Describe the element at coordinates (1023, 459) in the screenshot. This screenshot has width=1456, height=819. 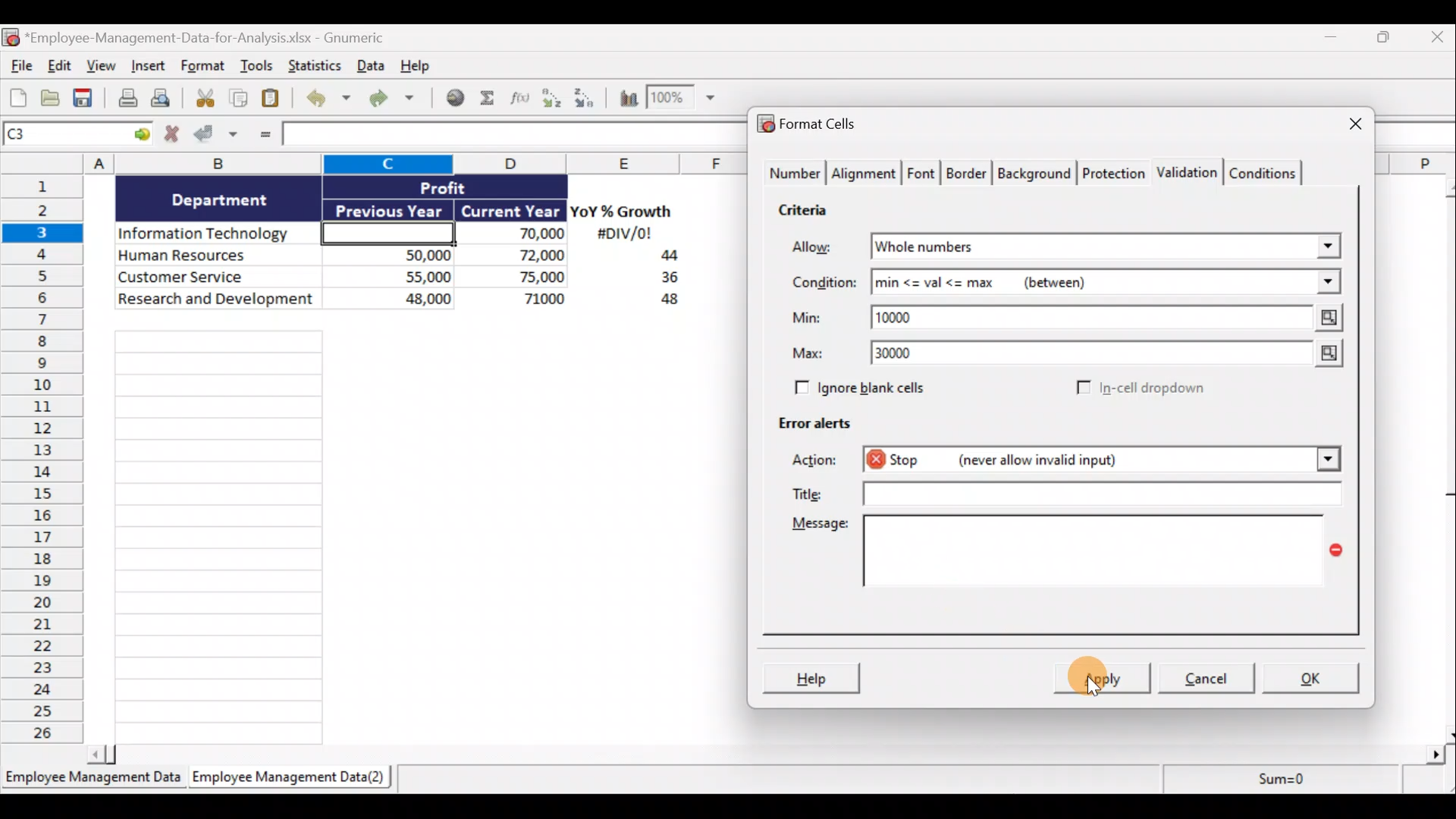
I see `Stop (never accept invalid input)` at that location.